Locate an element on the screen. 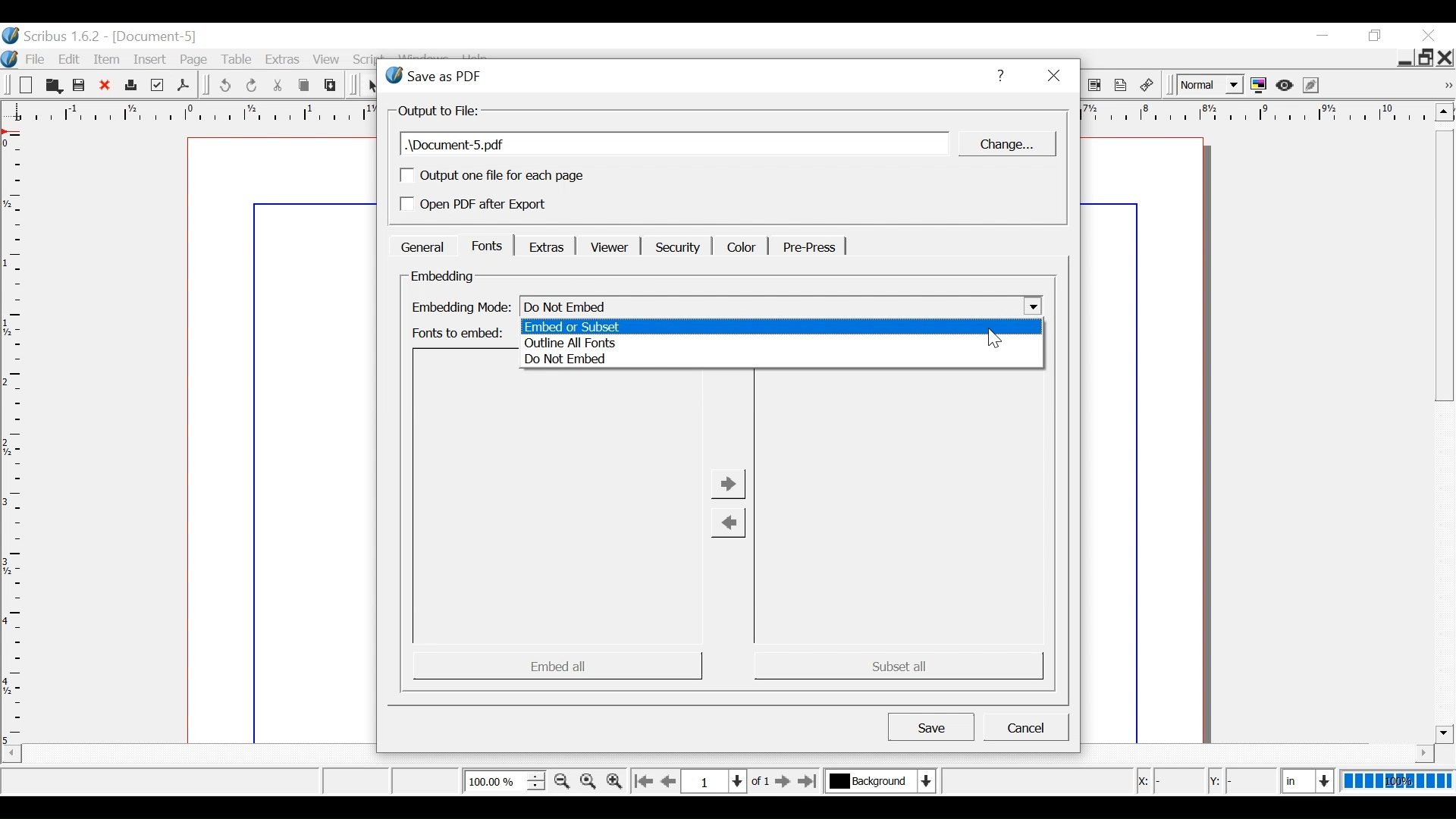  Close is located at coordinates (1053, 77).